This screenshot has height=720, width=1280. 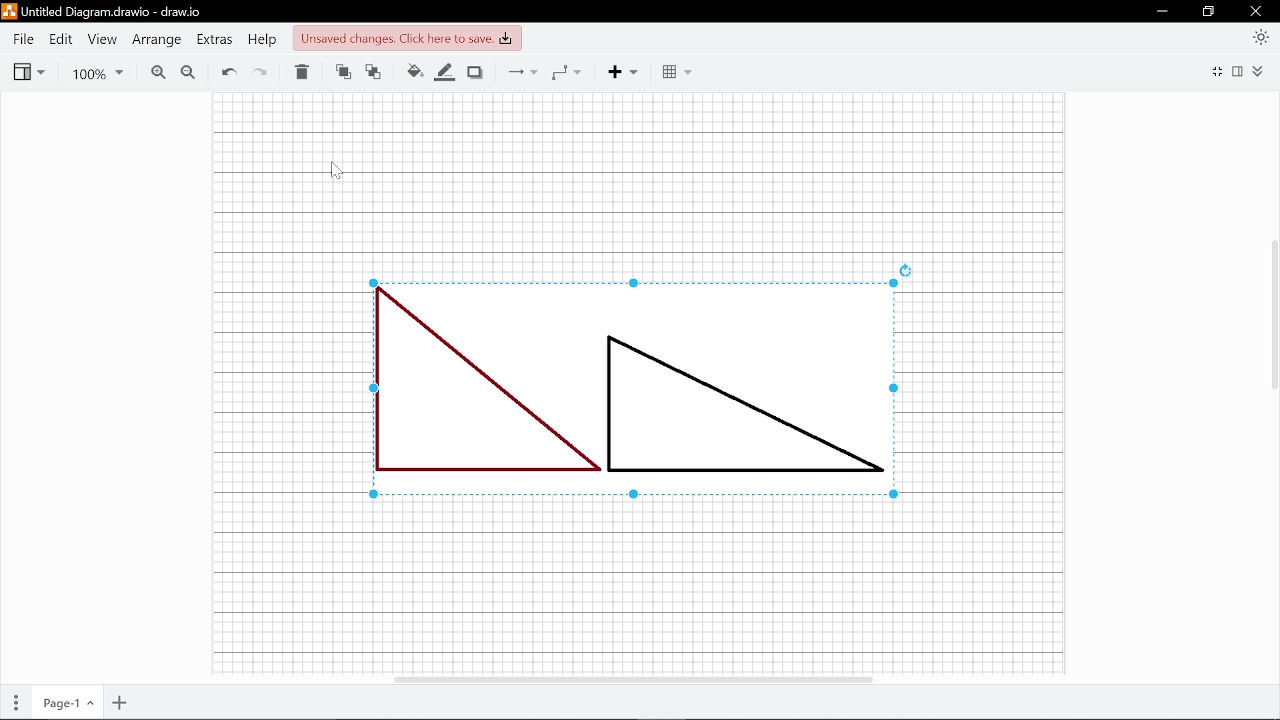 I want to click on File, so click(x=22, y=40).